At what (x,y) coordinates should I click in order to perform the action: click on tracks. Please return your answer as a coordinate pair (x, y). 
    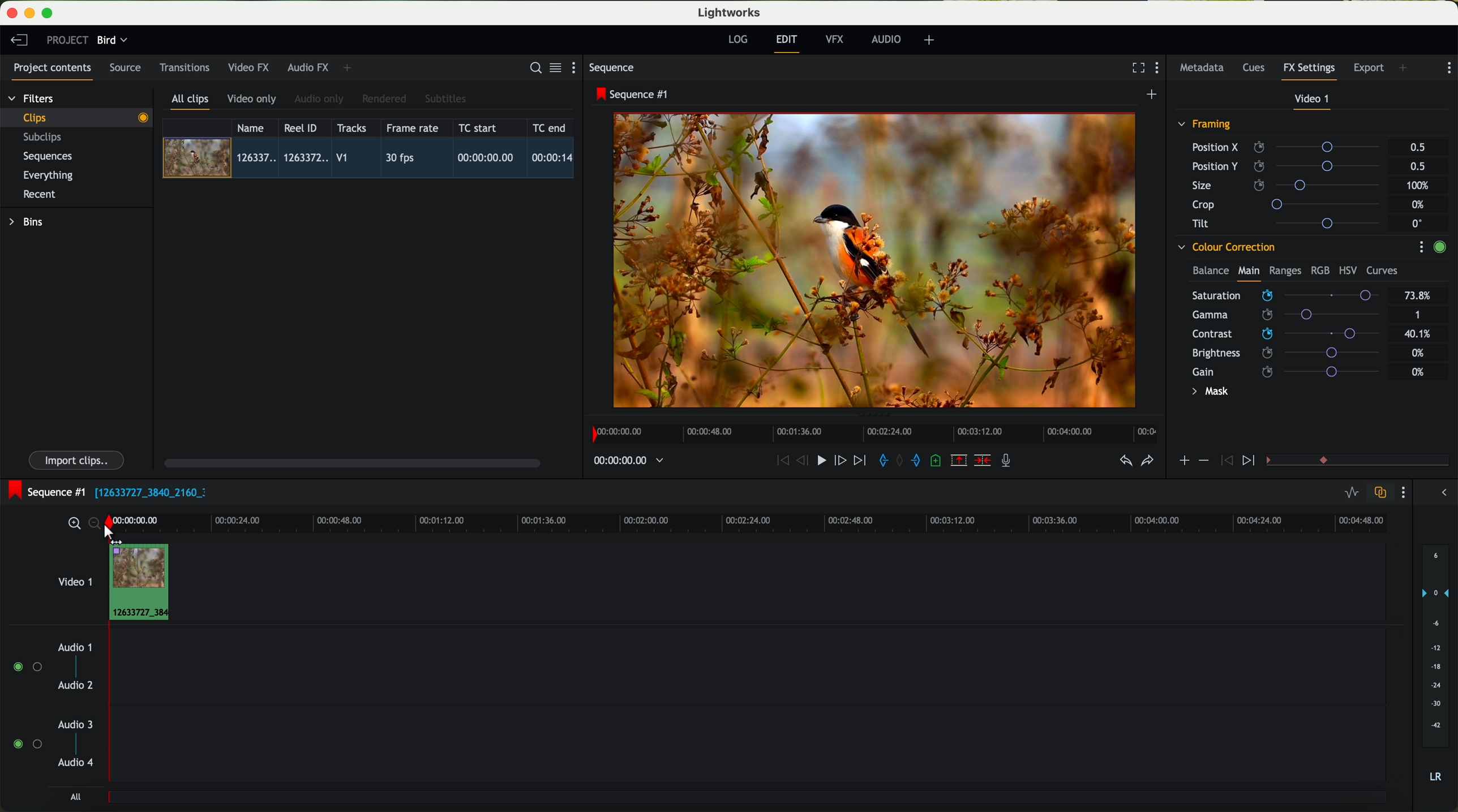
    Looking at the image, I should click on (350, 128).